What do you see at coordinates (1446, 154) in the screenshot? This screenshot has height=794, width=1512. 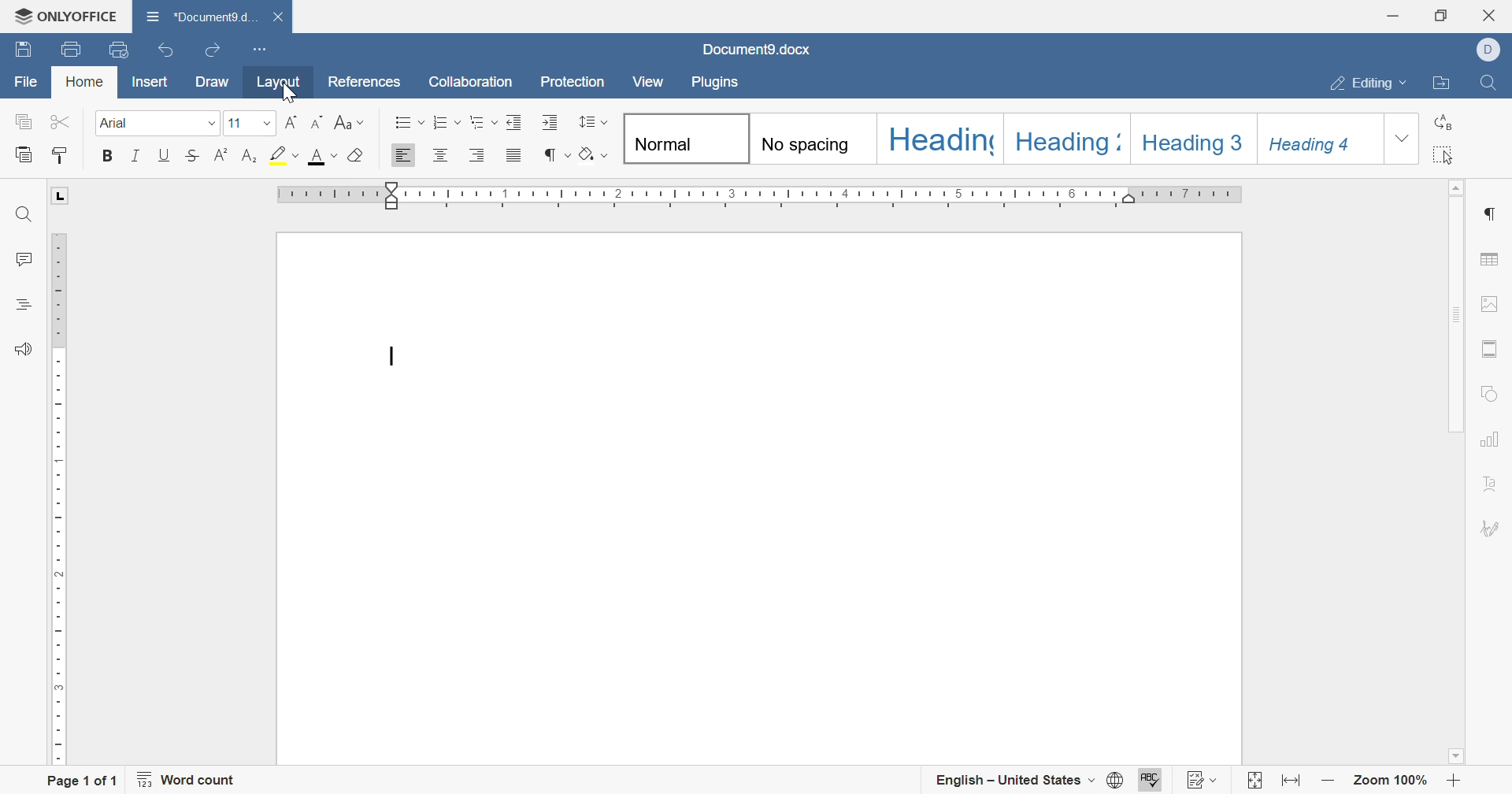 I see `select all` at bounding box center [1446, 154].